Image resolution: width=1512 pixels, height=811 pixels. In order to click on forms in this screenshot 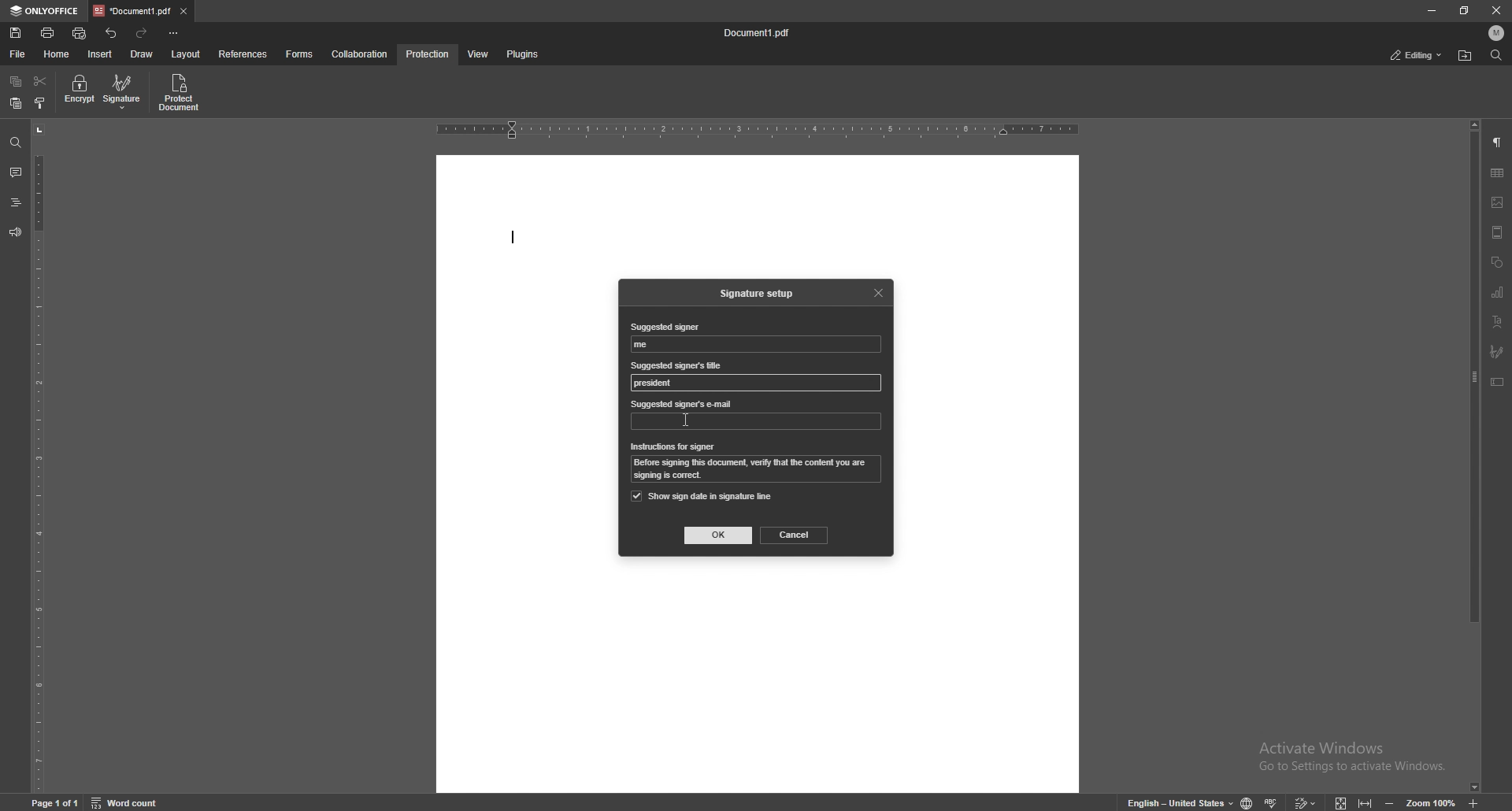, I will do `click(301, 54)`.